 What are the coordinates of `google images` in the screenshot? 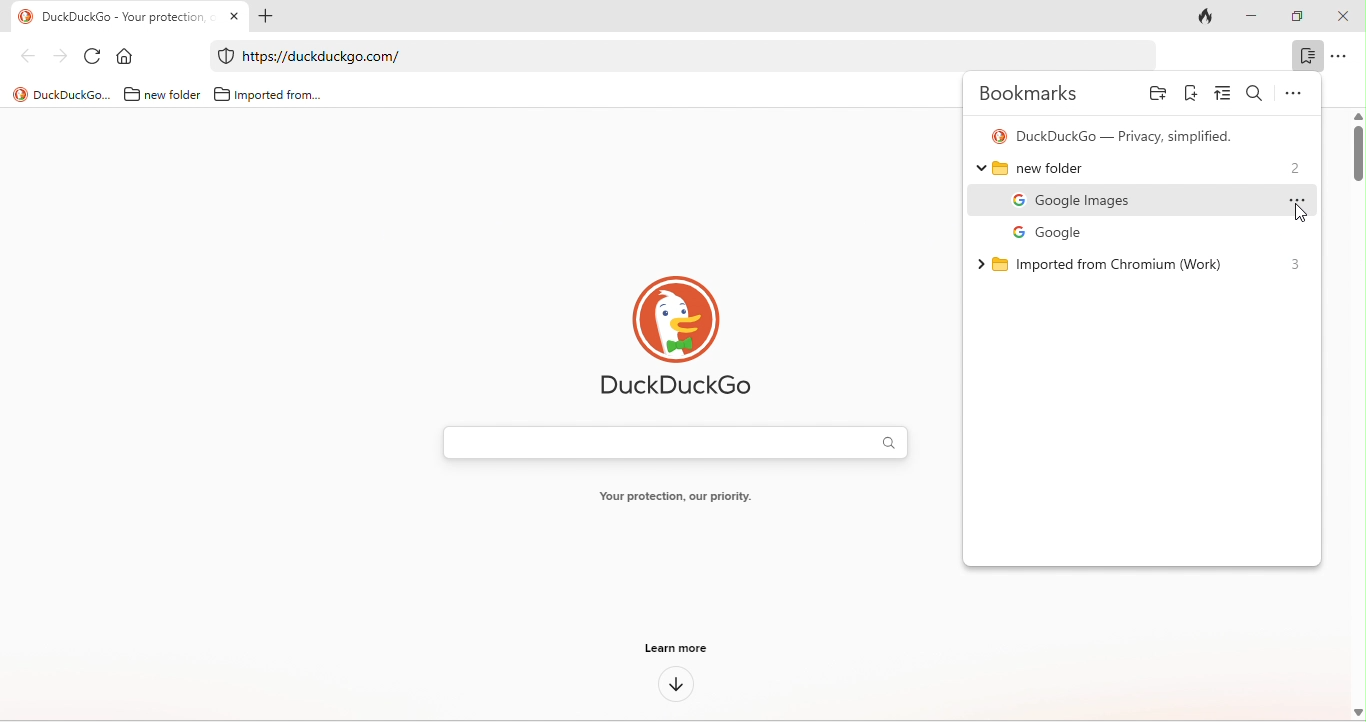 It's located at (1150, 201).